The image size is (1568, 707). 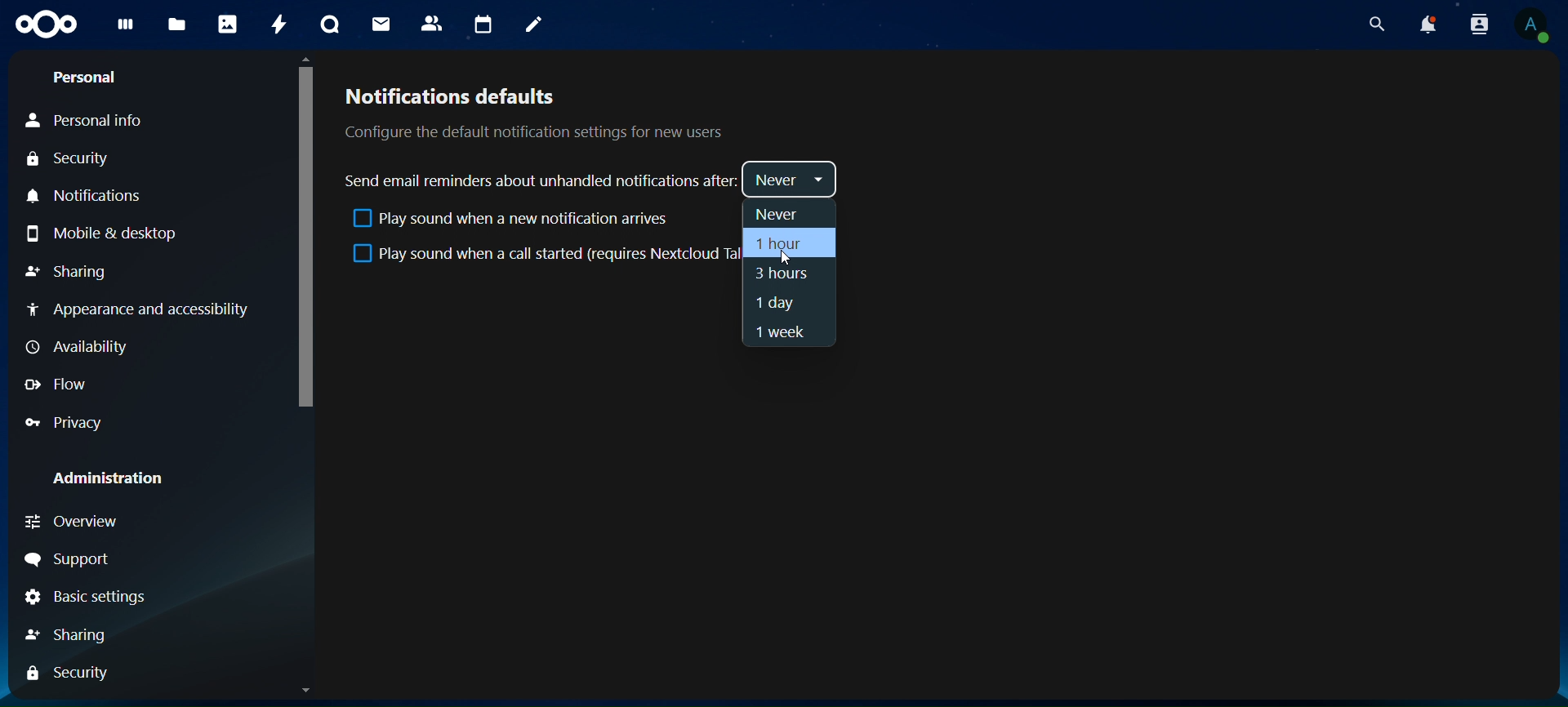 I want to click on mail, so click(x=383, y=23).